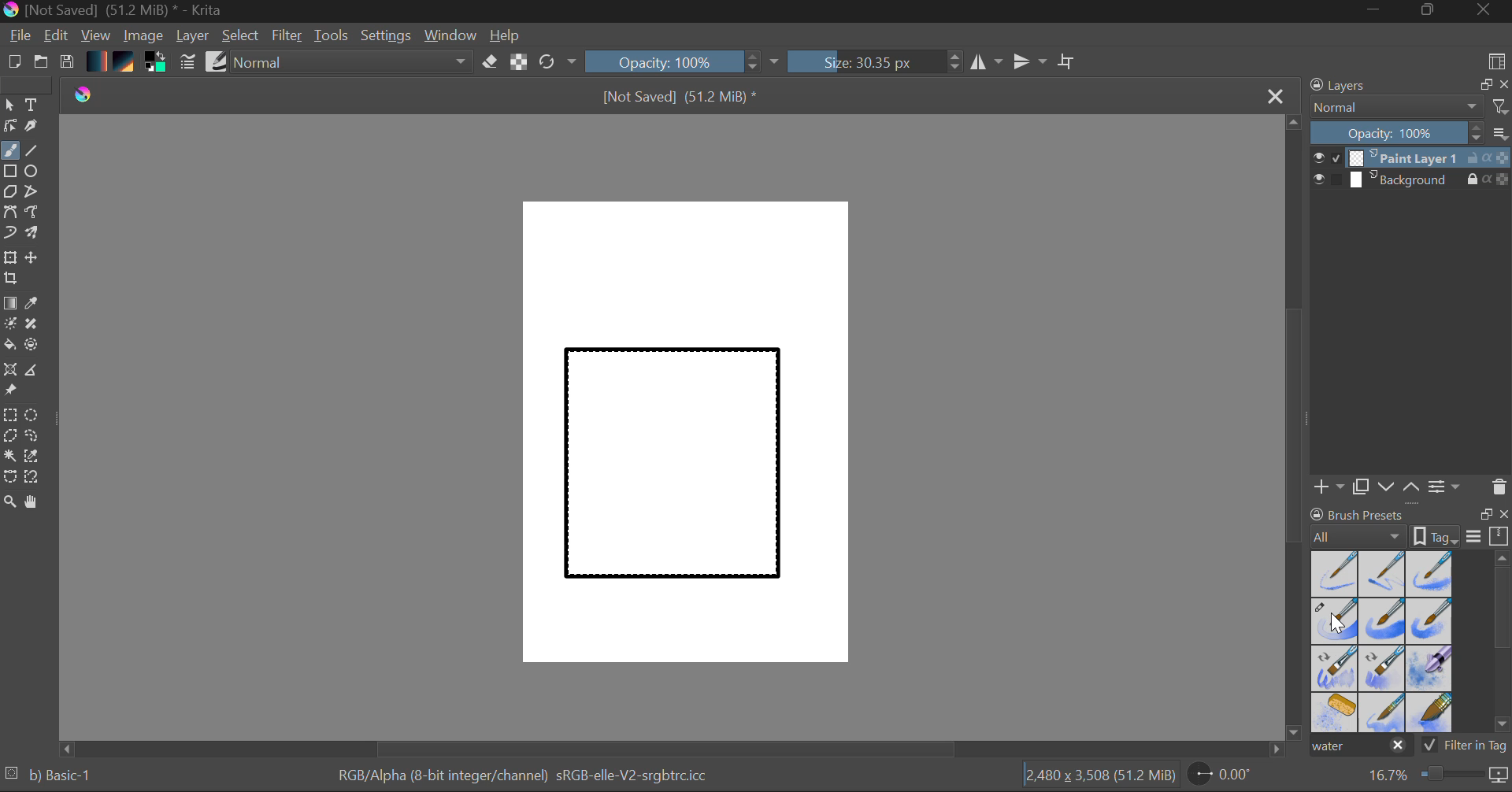 The width and height of the screenshot is (1512, 792). I want to click on File Name & Size, so click(680, 98).